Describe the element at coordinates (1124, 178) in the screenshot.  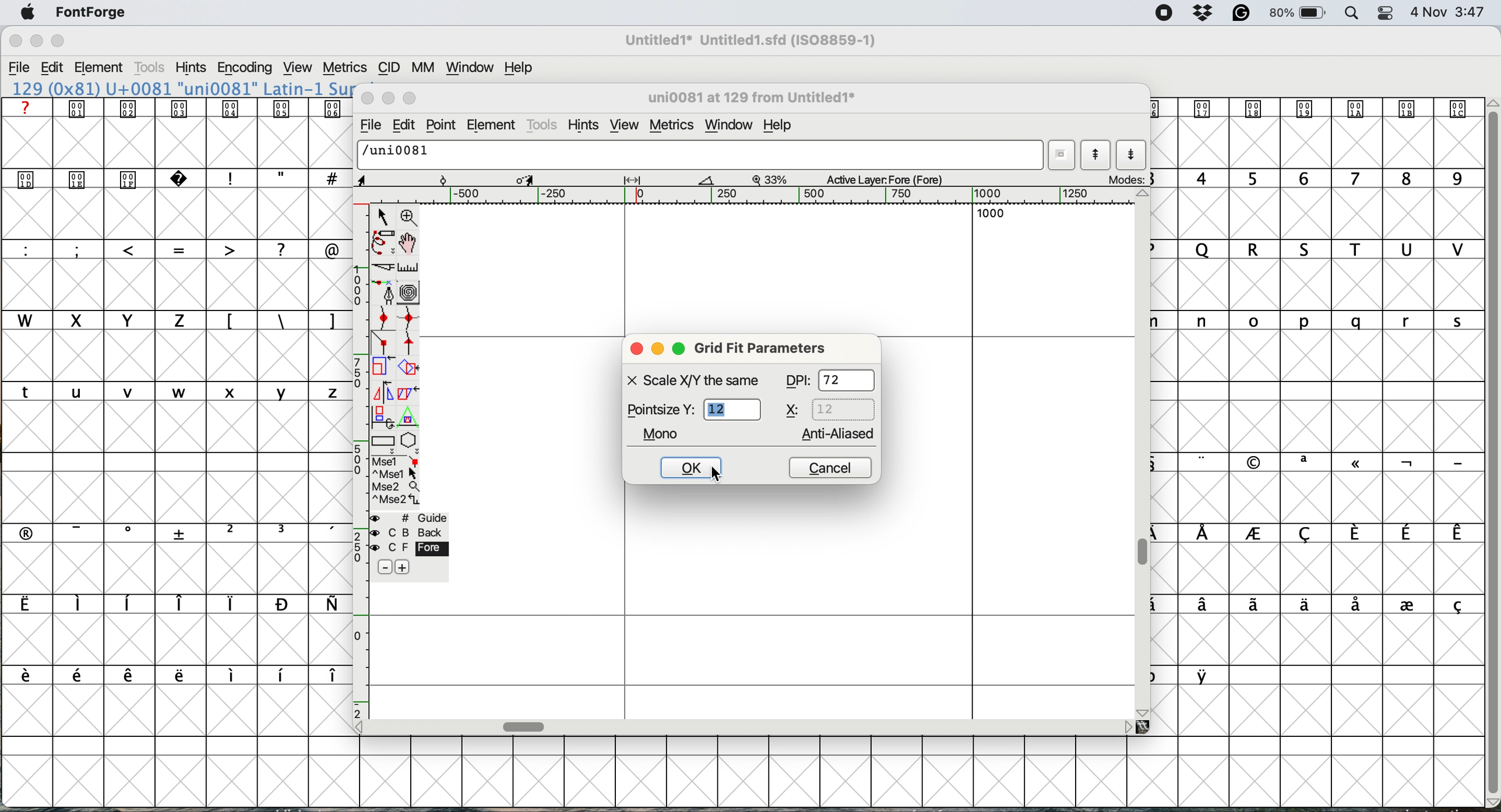
I see `modes` at that location.